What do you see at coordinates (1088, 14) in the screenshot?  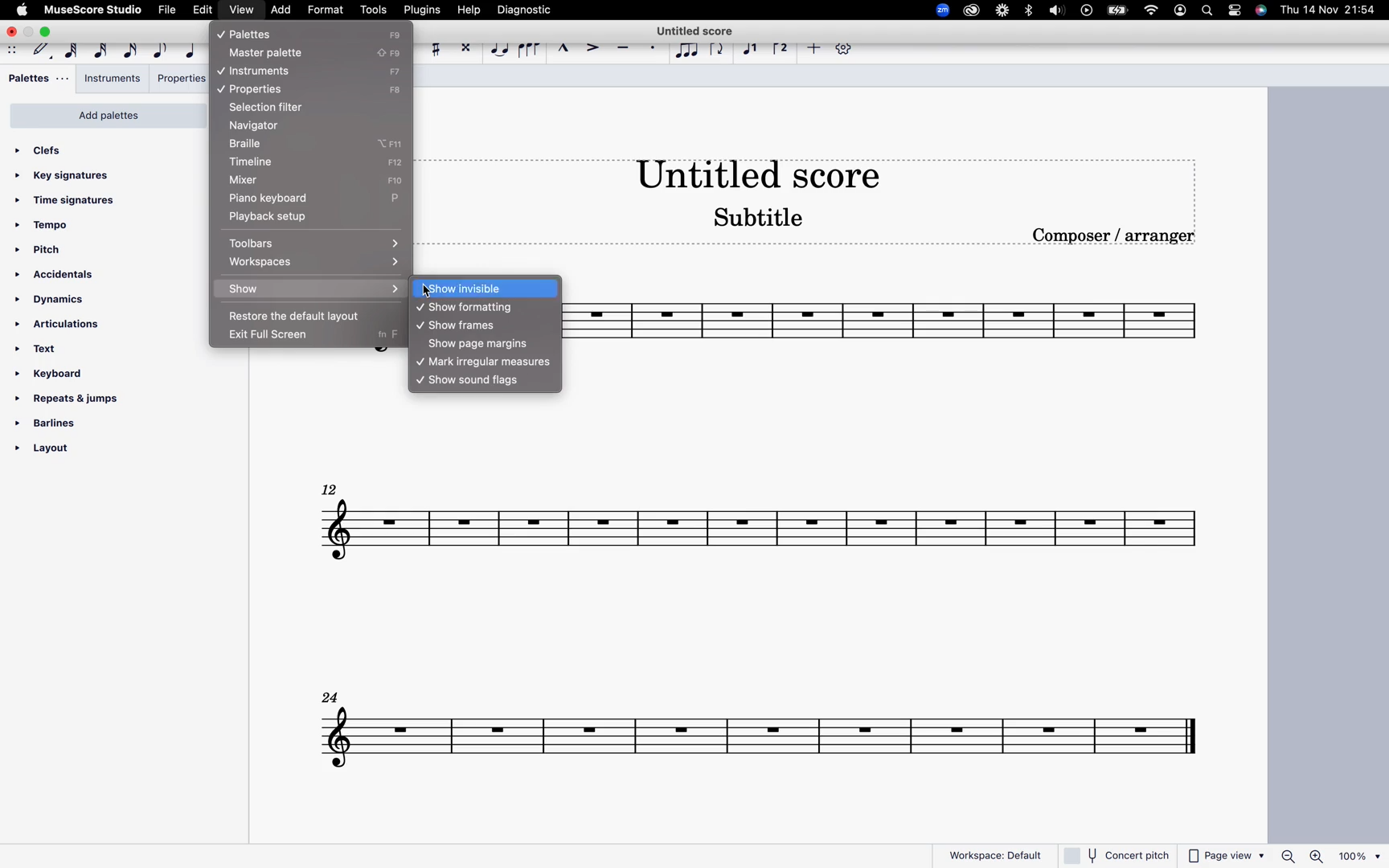 I see `record` at bounding box center [1088, 14].